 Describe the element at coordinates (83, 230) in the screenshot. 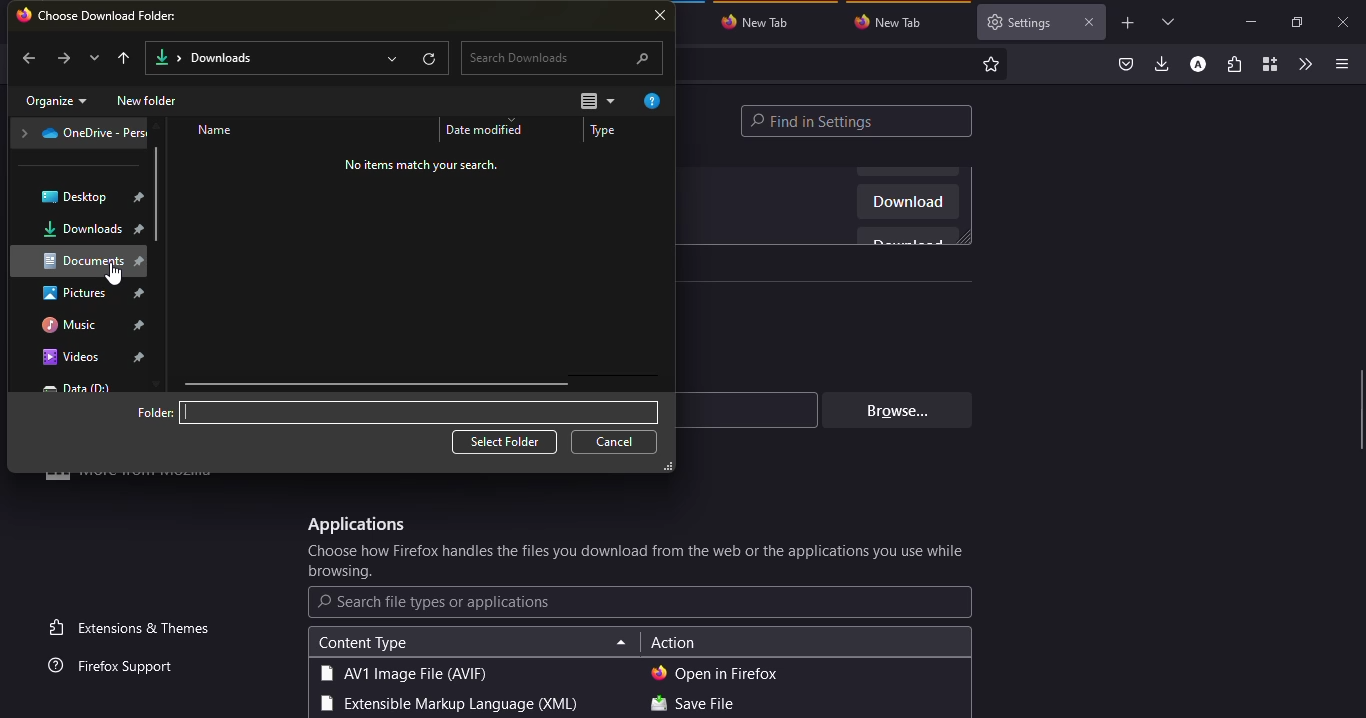

I see `location` at that location.